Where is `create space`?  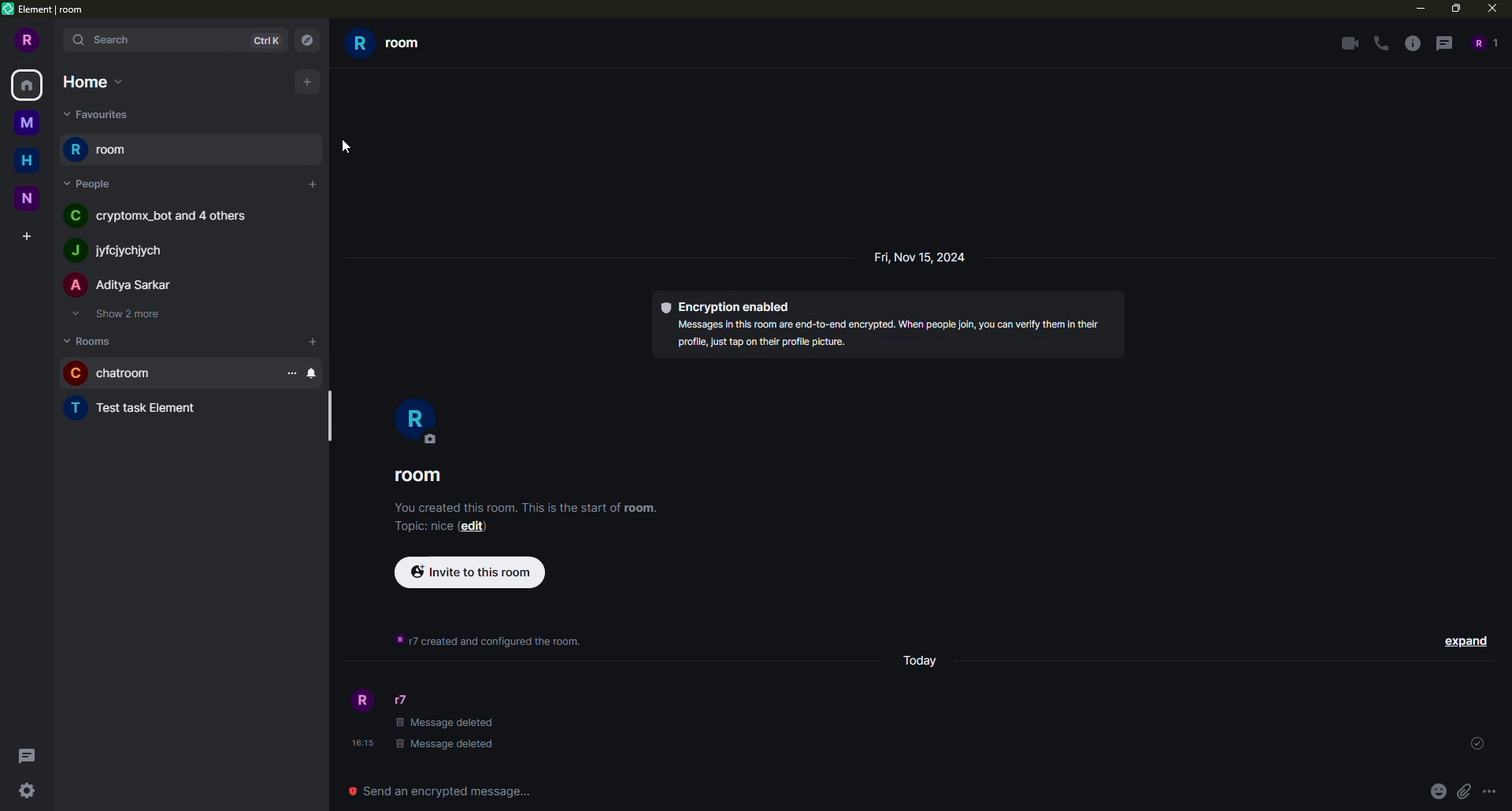
create space is located at coordinates (26, 233).